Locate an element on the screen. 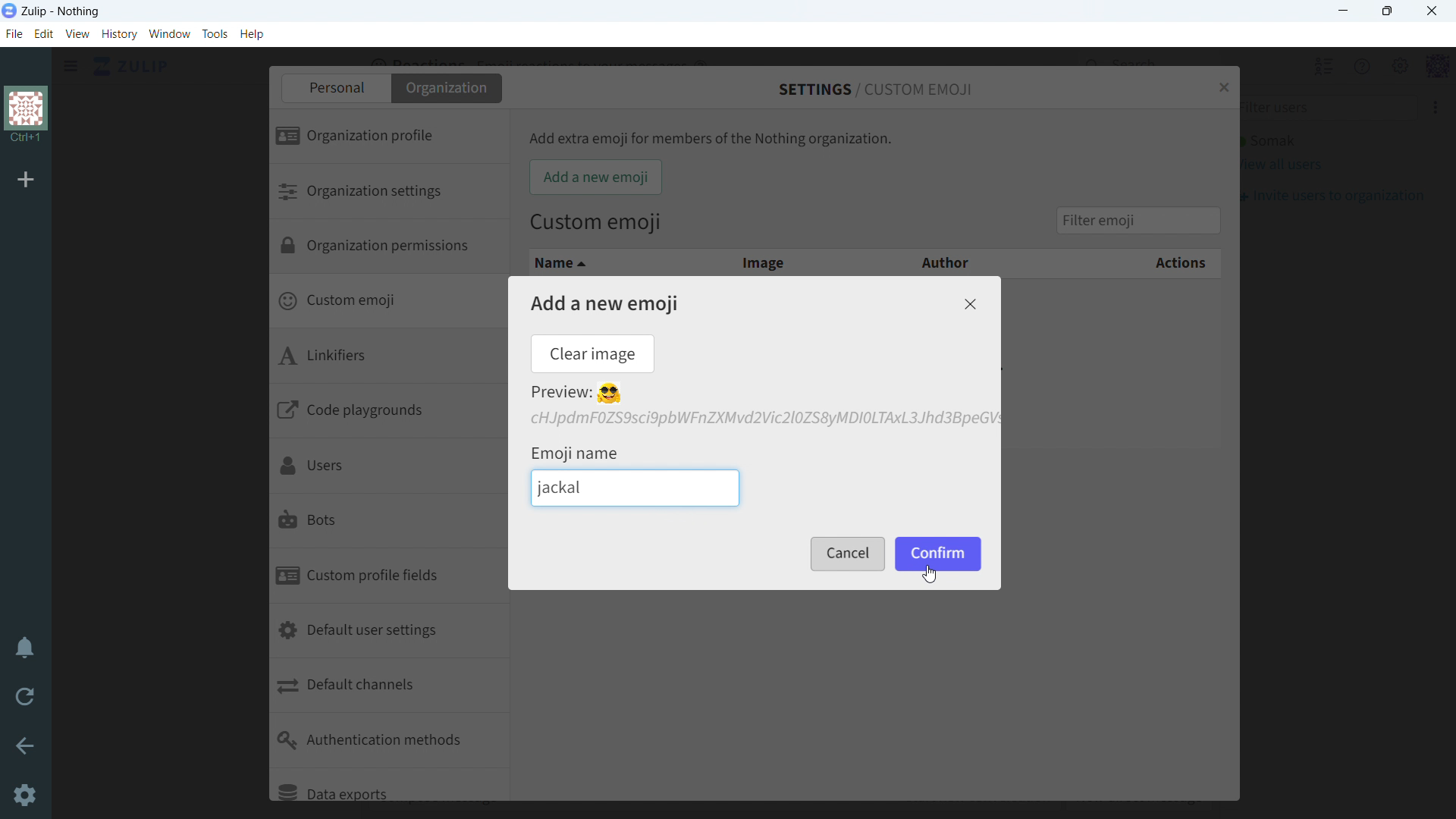 Image resolution: width=1456 pixels, height=819 pixels. preview is located at coordinates (576, 394).